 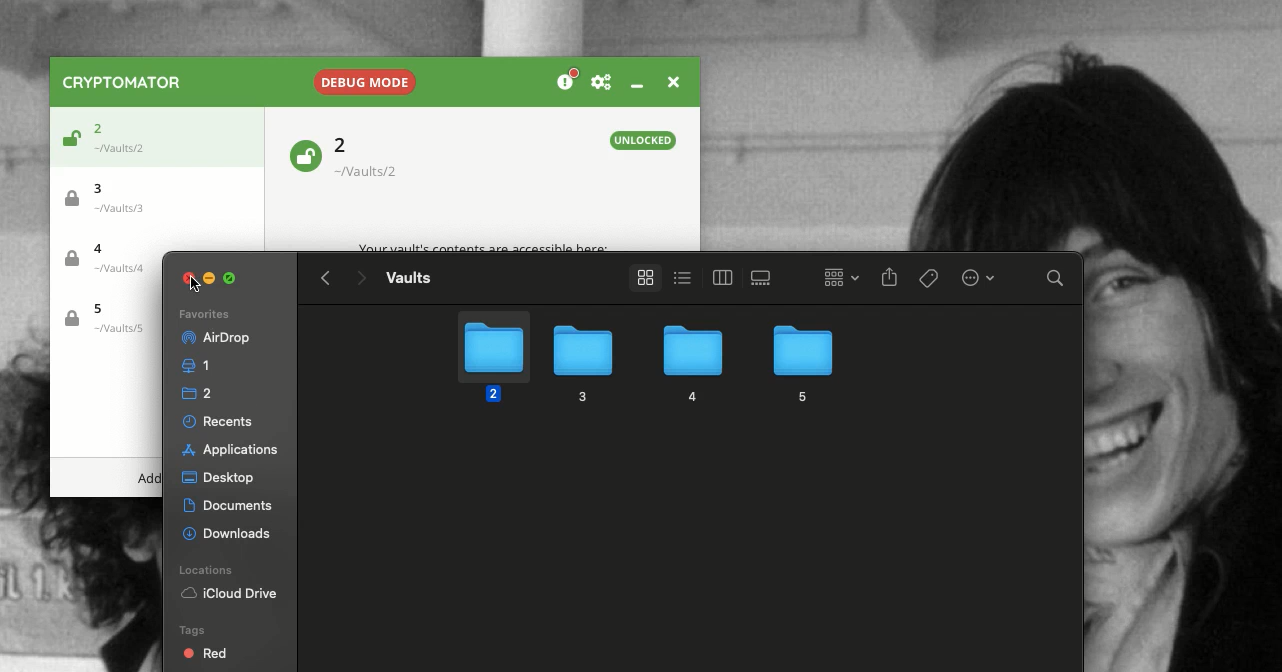 What do you see at coordinates (976, 276) in the screenshot?
I see `Options` at bounding box center [976, 276].